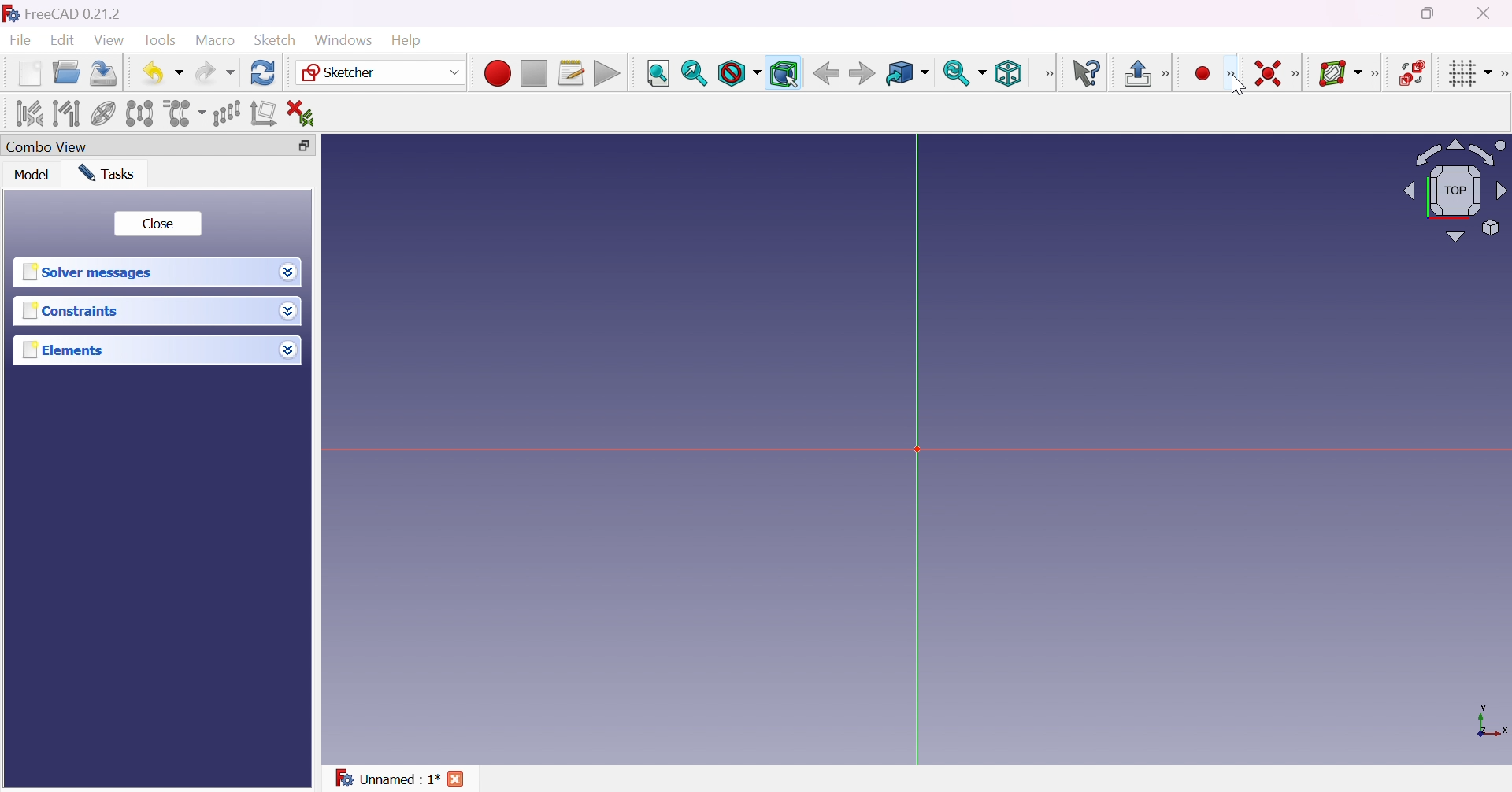 This screenshot has height=792, width=1512. I want to click on Back, so click(823, 73).